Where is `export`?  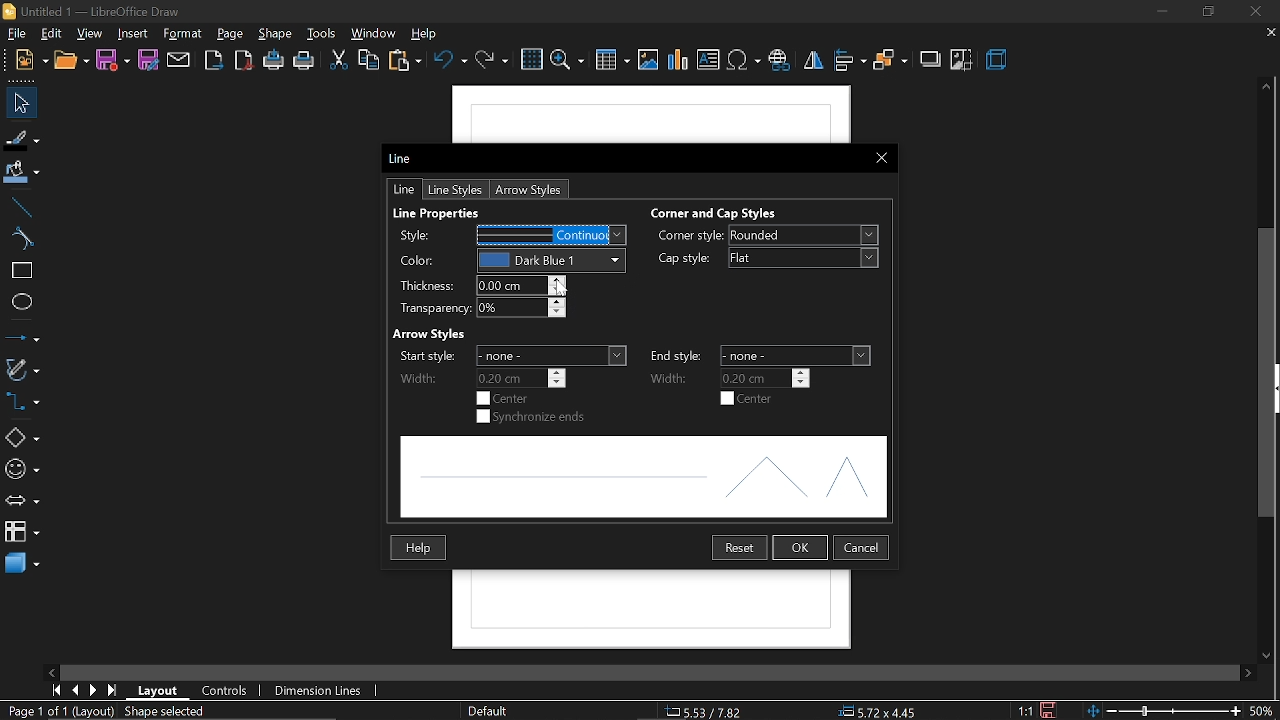 export is located at coordinates (214, 61).